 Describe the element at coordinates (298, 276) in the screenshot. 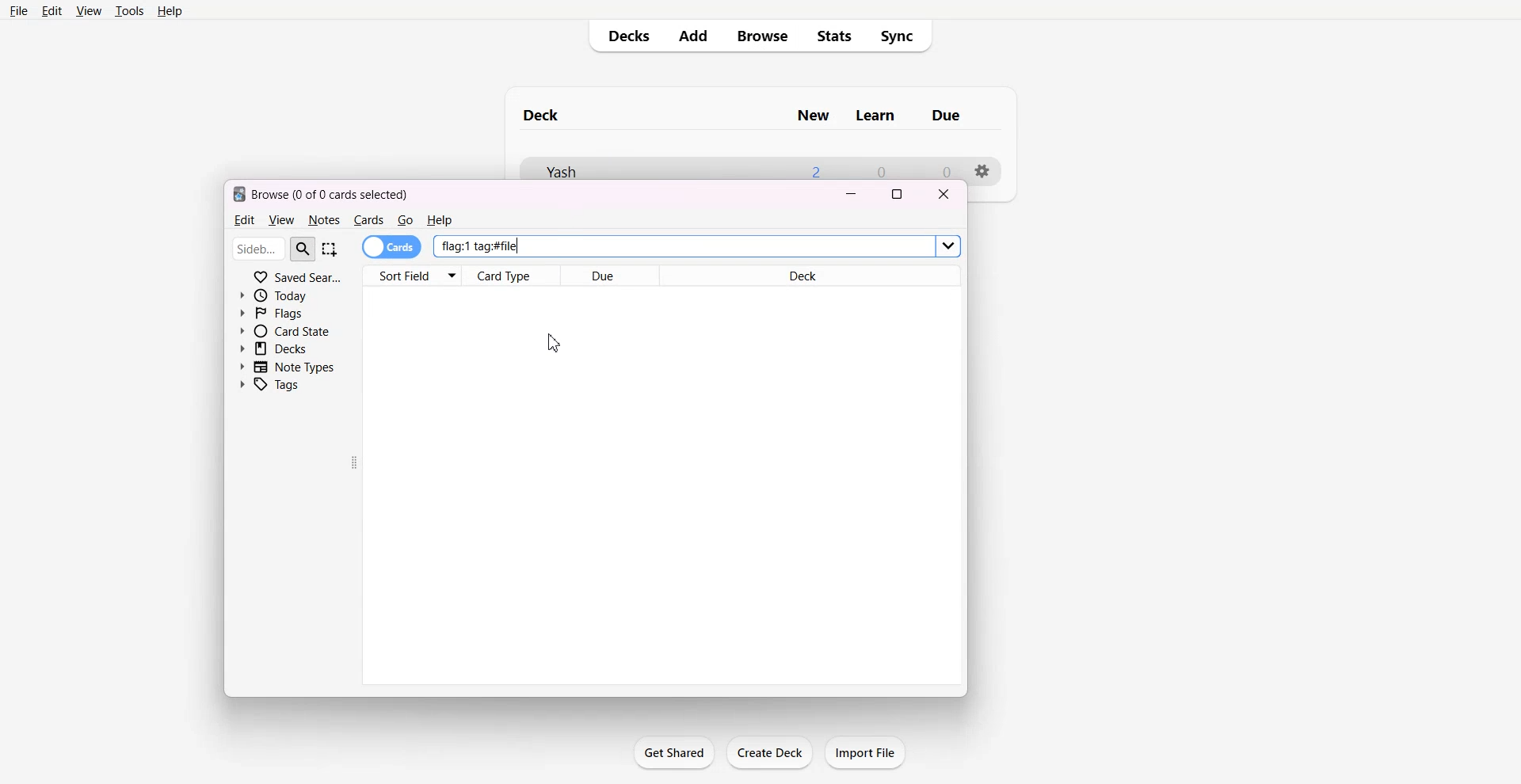

I see `Saved Search` at that location.